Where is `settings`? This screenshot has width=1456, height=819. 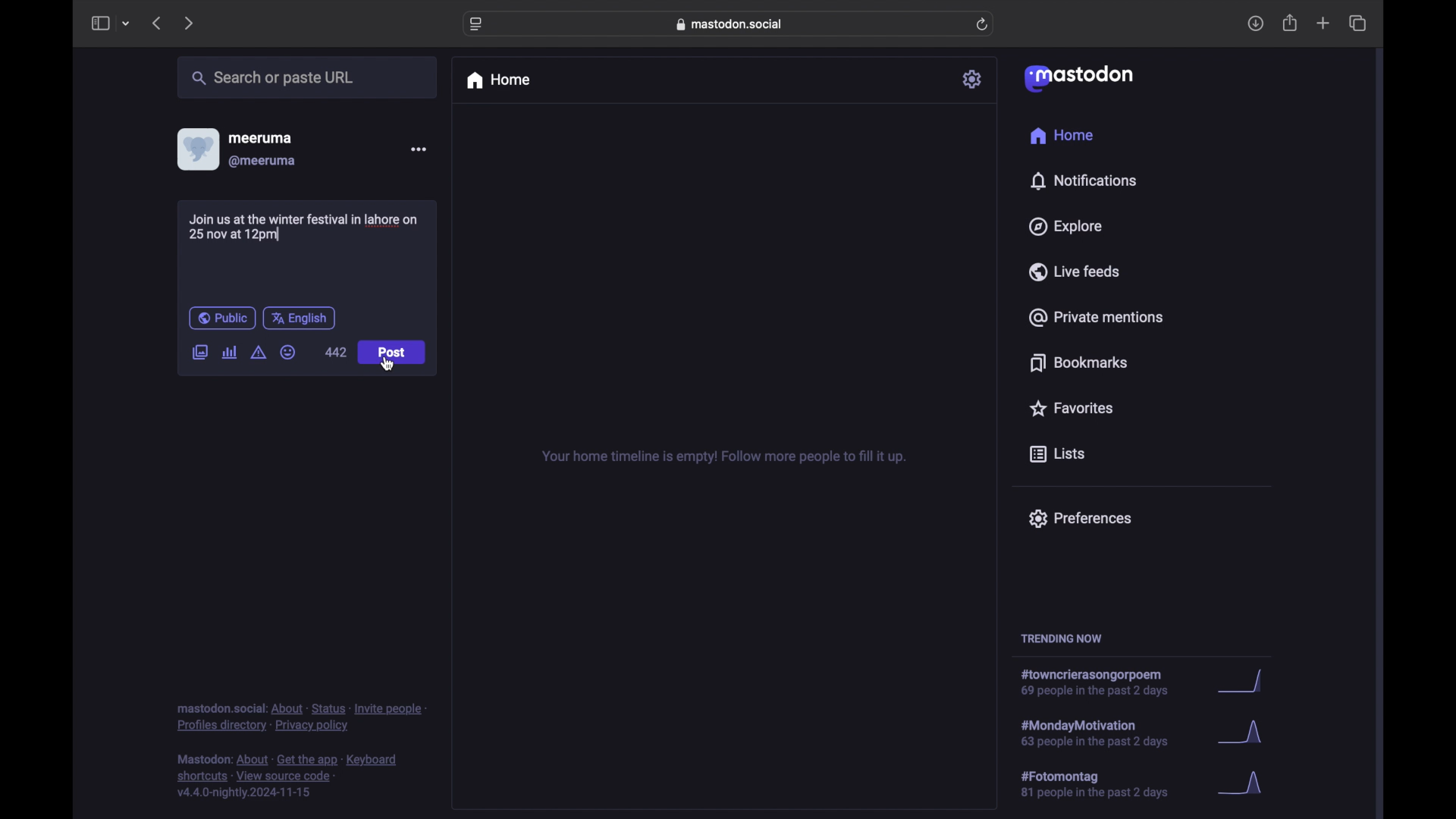
settings is located at coordinates (974, 79).